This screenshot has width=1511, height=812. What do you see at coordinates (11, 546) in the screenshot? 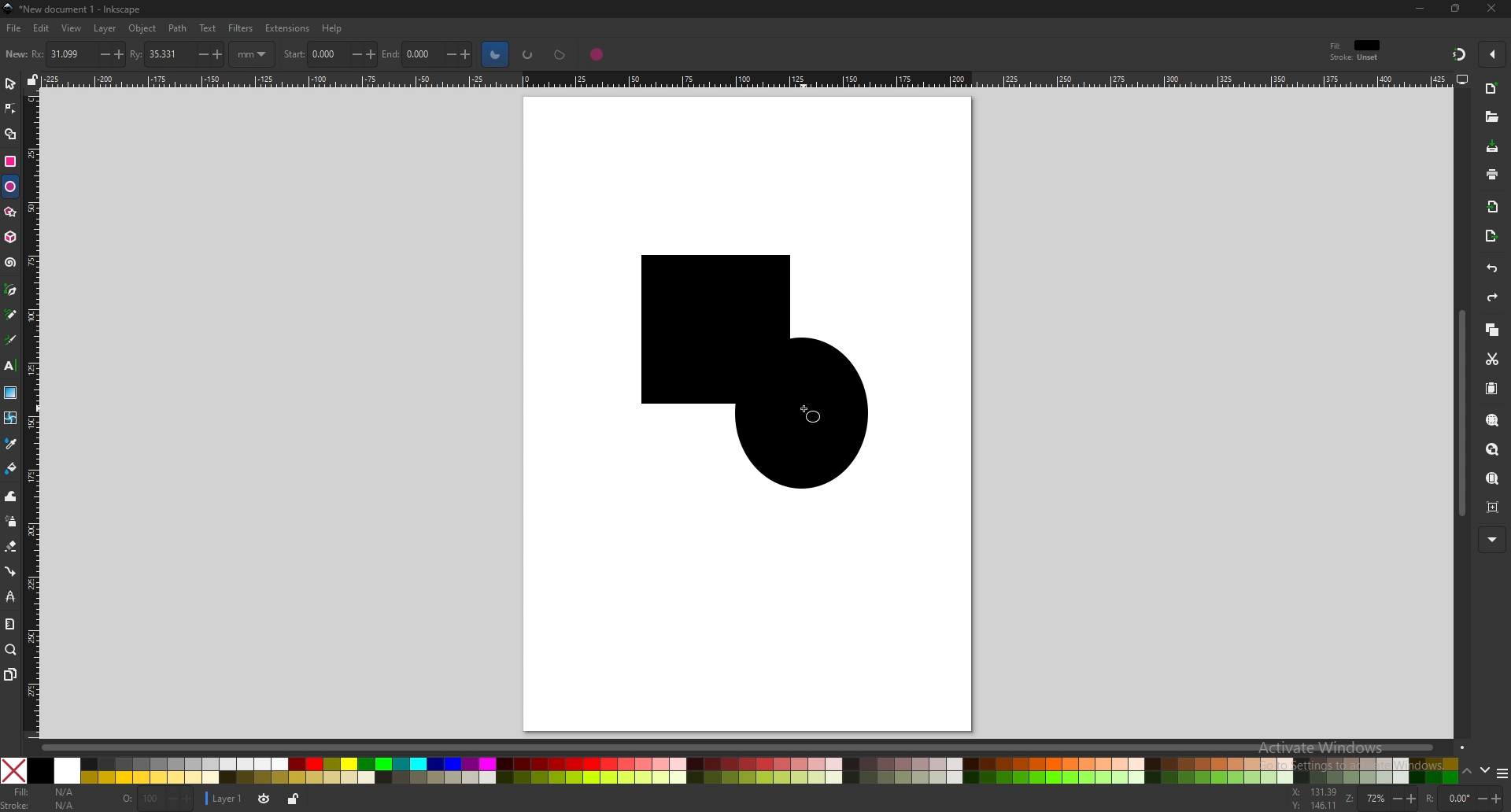
I see `eraser` at bounding box center [11, 546].